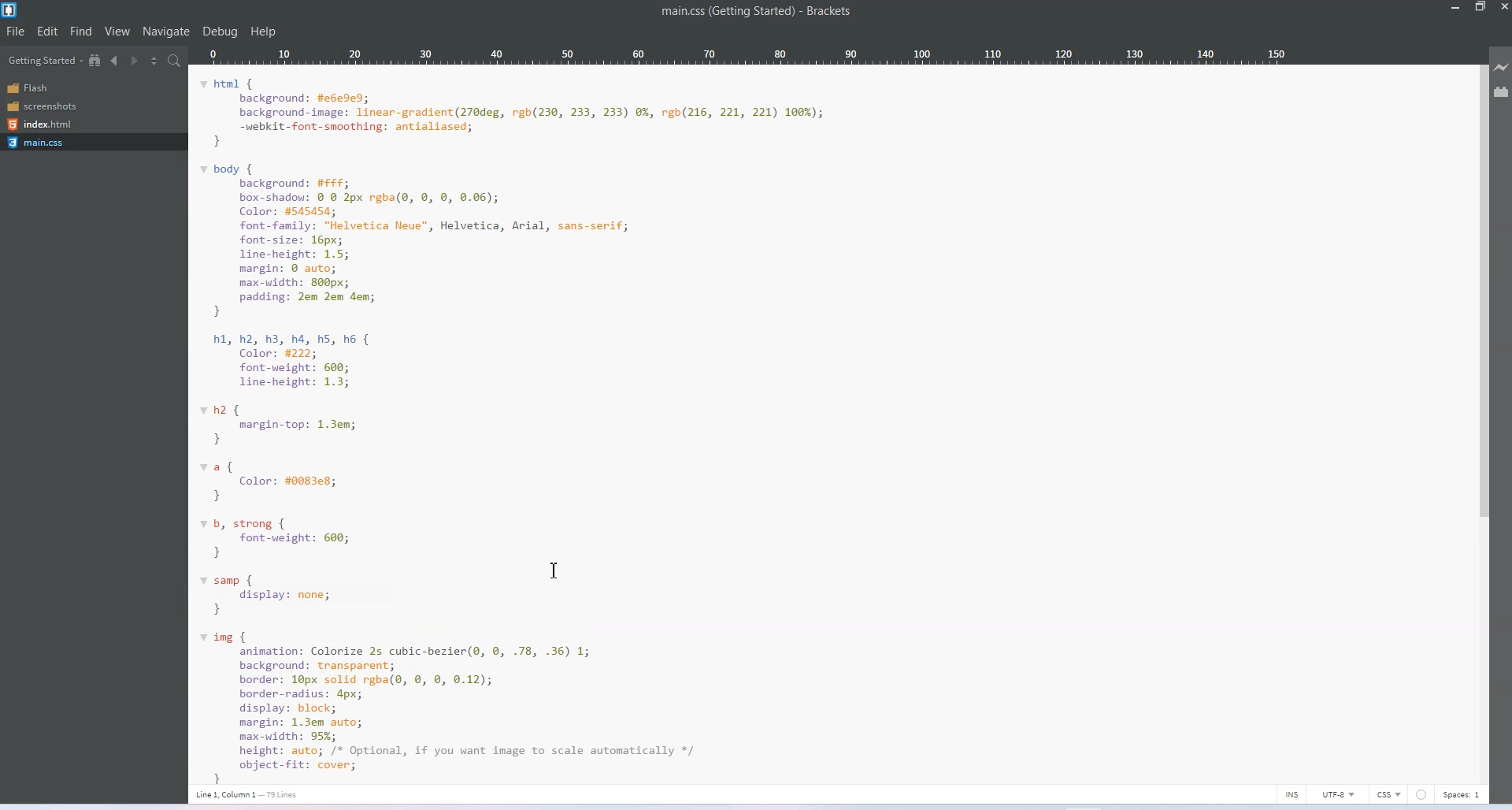 The height and width of the screenshot is (810, 1512). Describe the element at coordinates (1292, 794) in the screenshot. I see `INS` at that location.